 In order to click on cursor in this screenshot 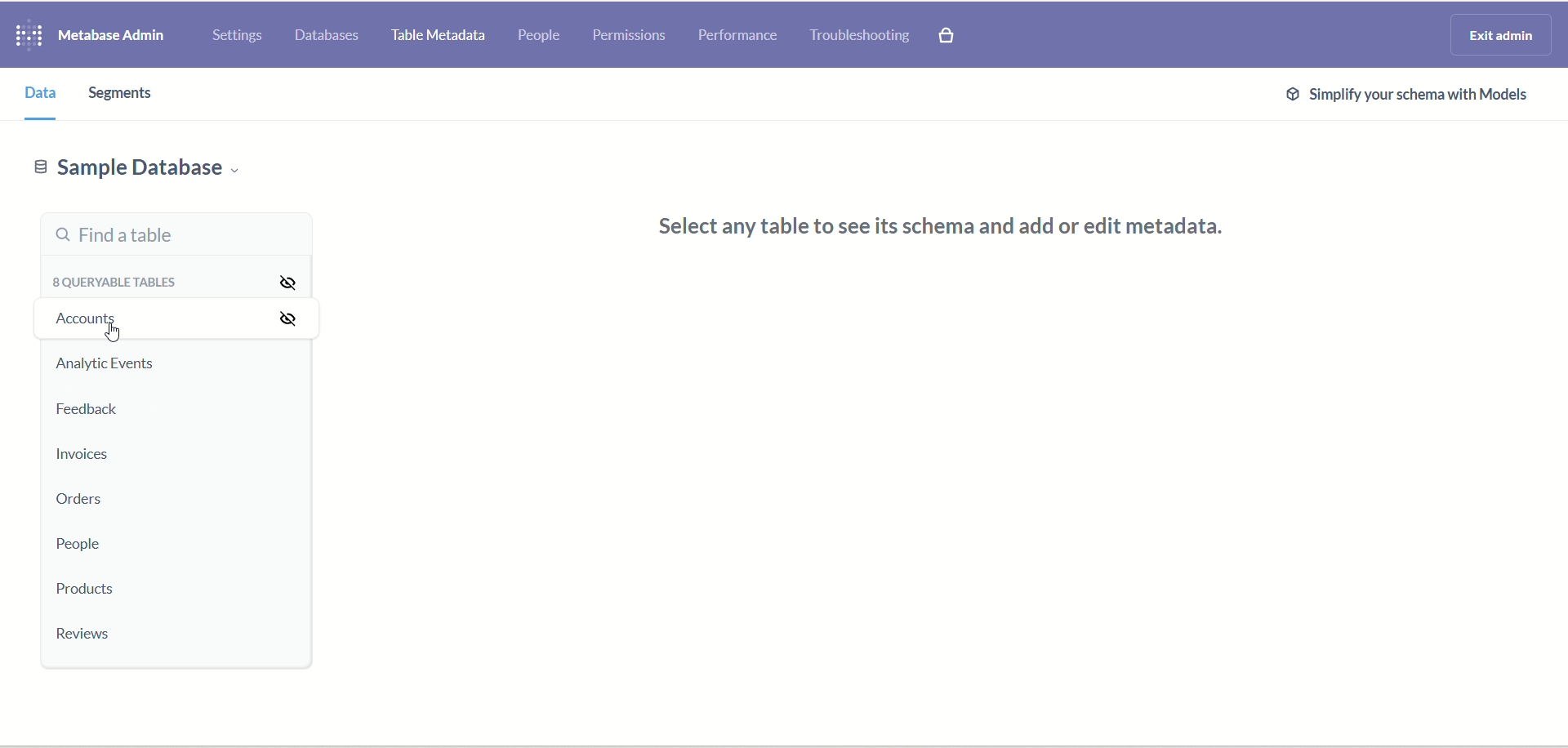, I will do `click(110, 333)`.